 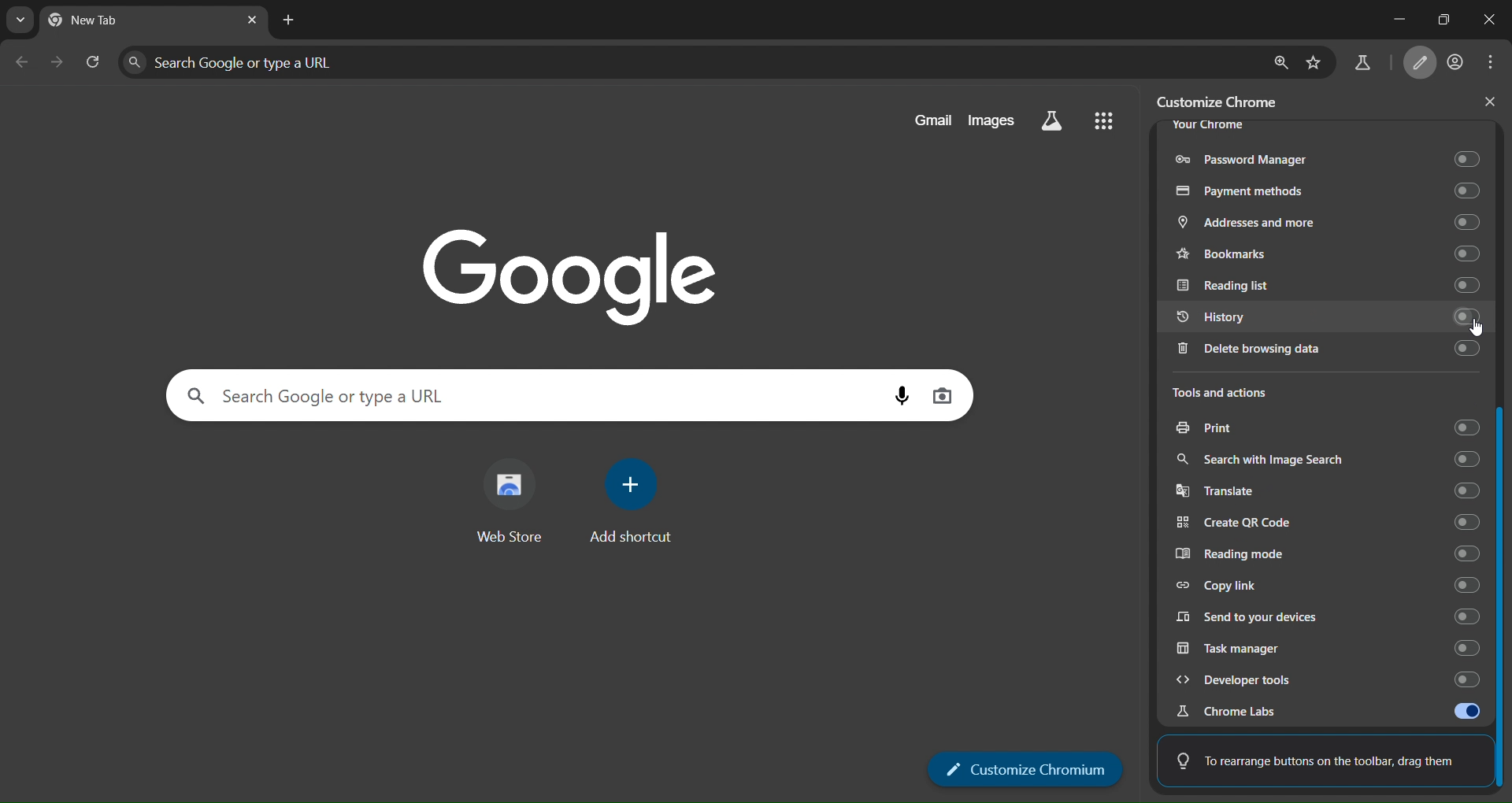 I want to click on voice search, so click(x=902, y=396).